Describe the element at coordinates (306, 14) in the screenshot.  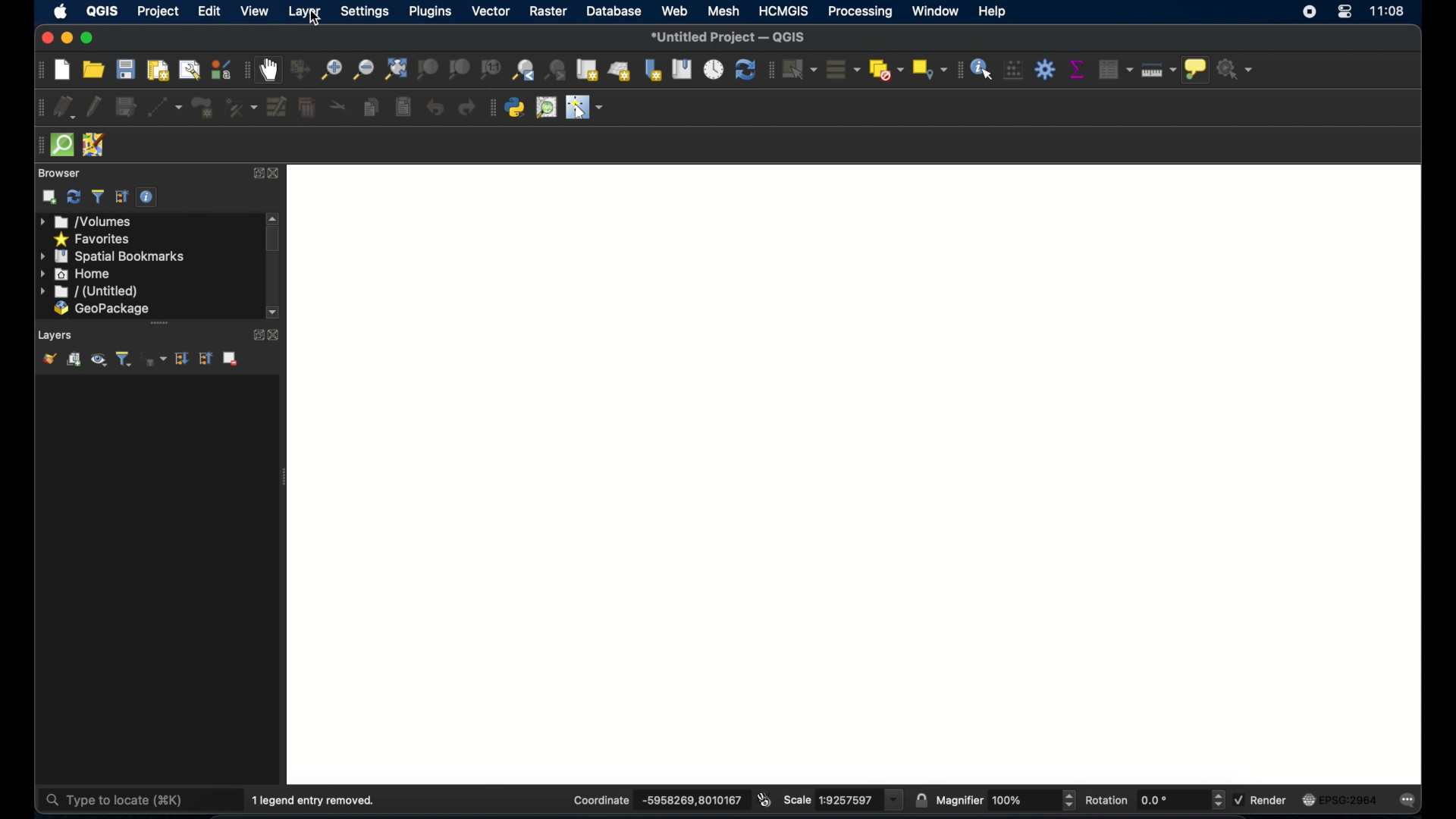
I see `layer` at that location.